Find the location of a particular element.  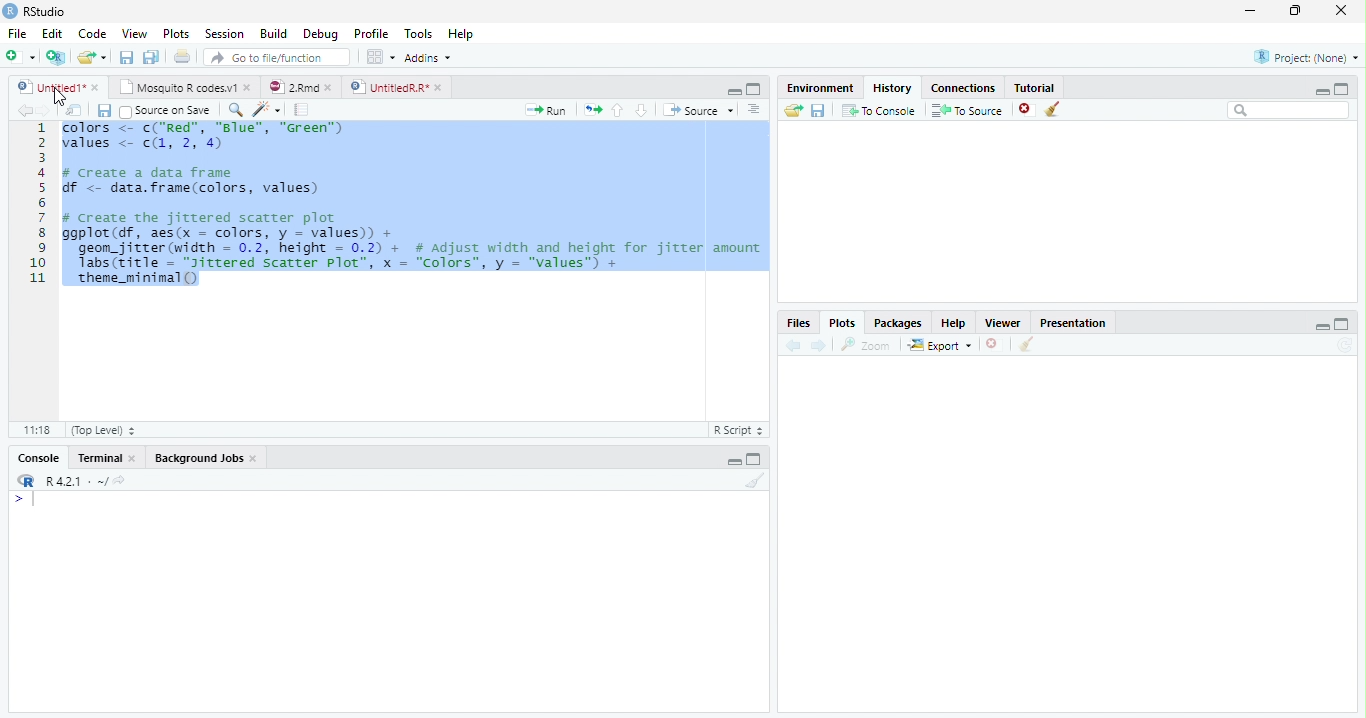

2.Rmd is located at coordinates (291, 87).